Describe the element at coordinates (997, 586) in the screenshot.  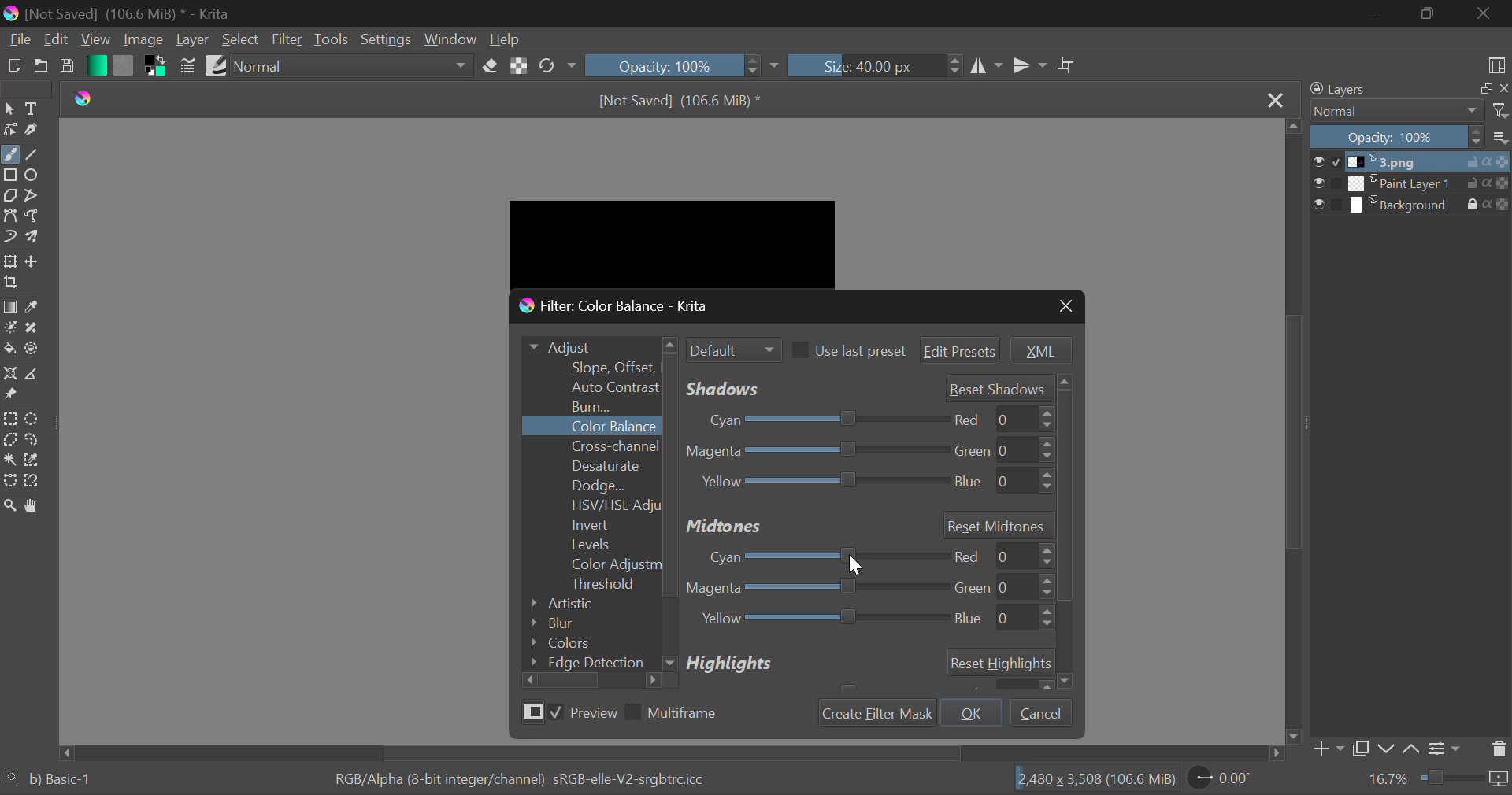
I see `green` at that location.